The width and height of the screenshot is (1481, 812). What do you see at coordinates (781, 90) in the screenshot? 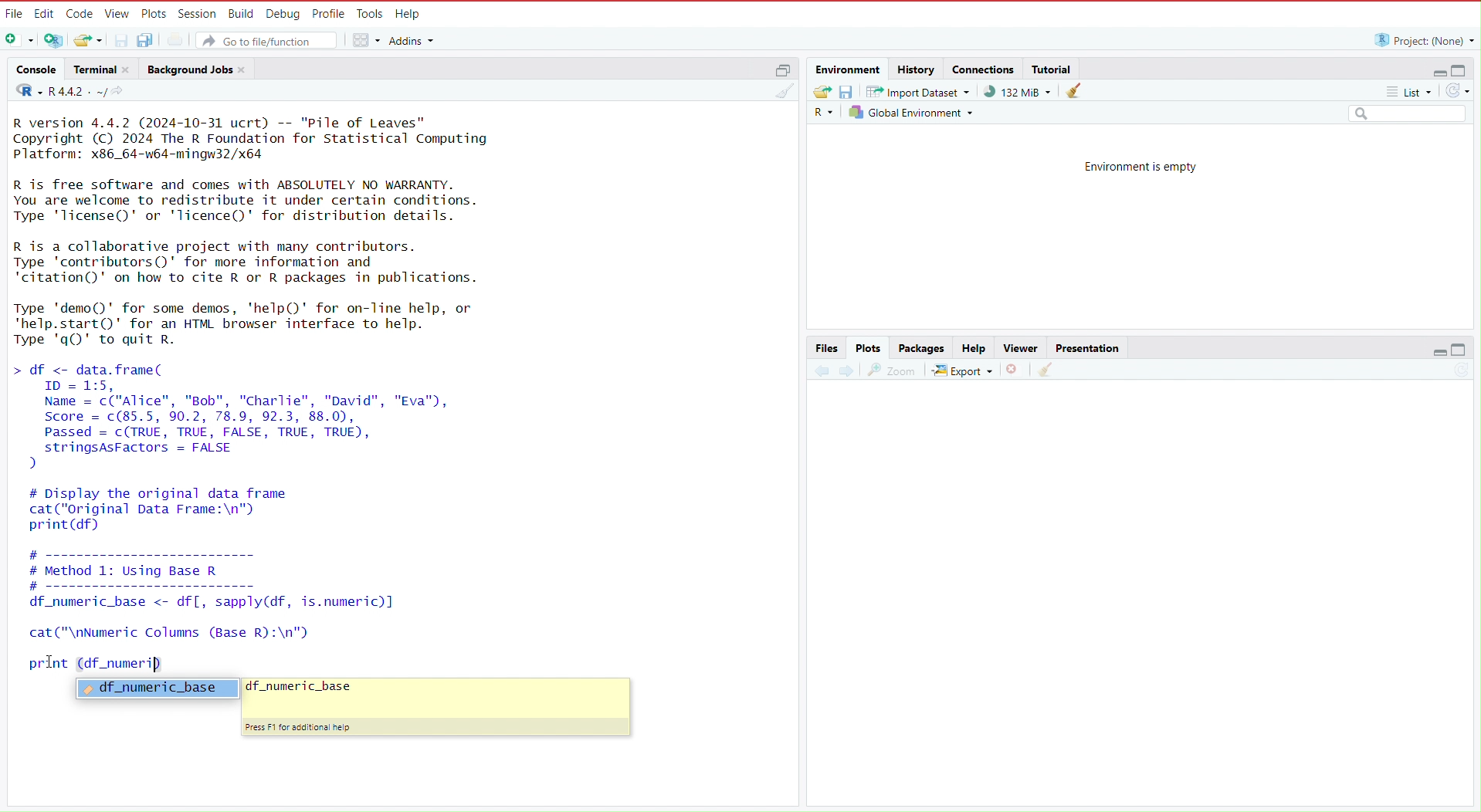
I see `clear console` at bounding box center [781, 90].